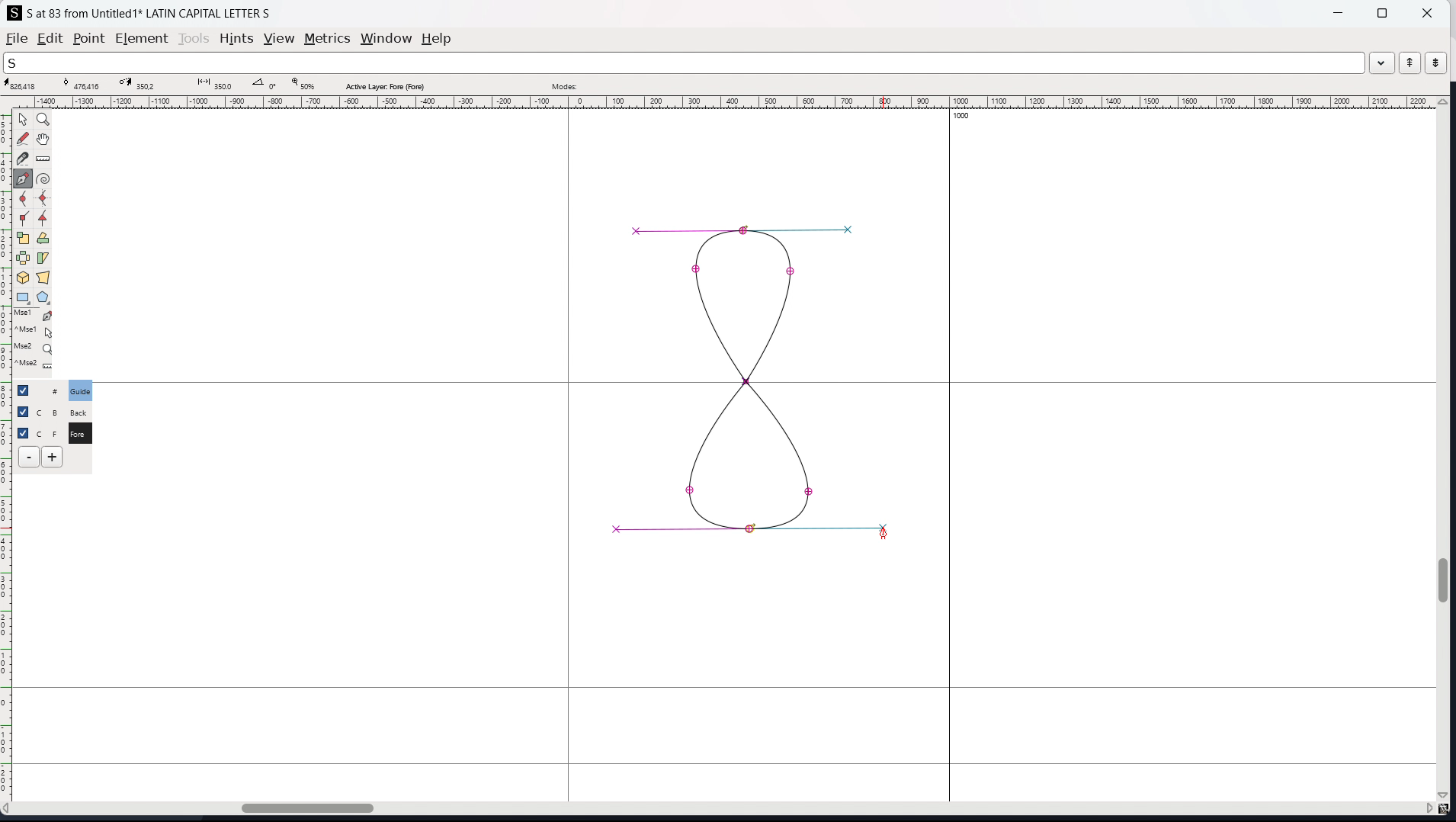 The width and height of the screenshot is (1456, 822). I want to click on angle between points, so click(266, 83).